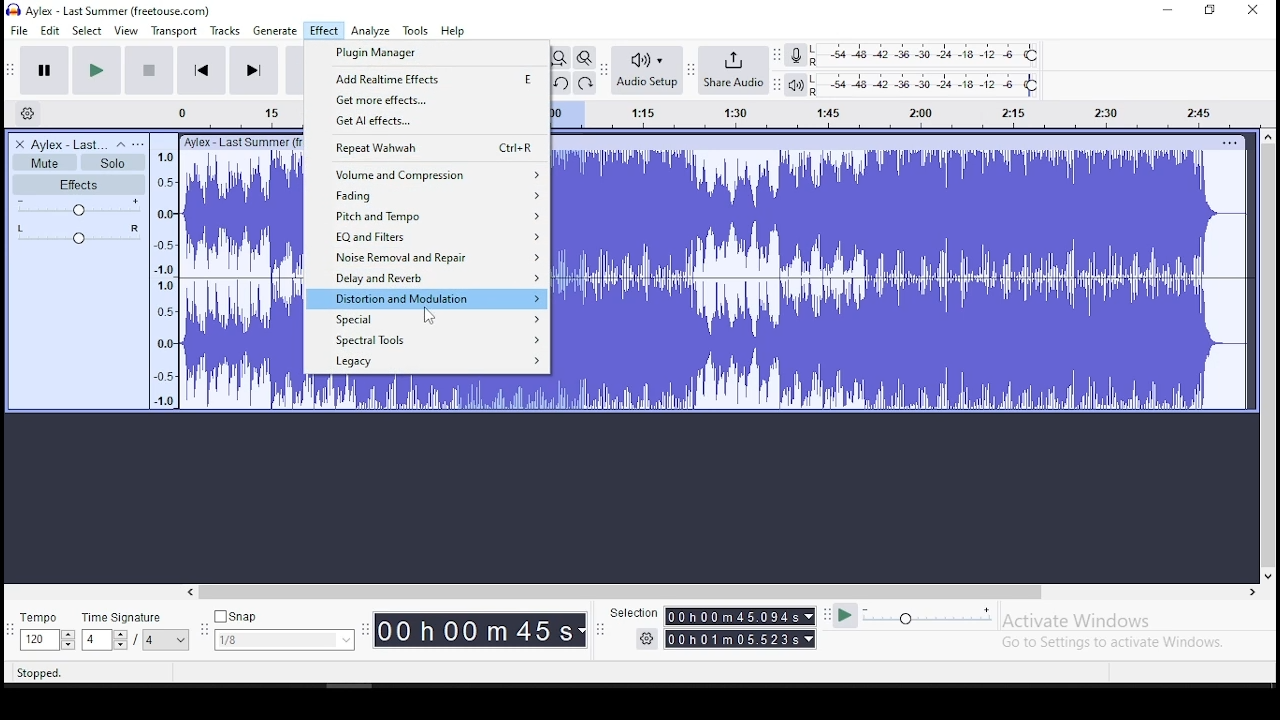 The height and width of the screenshot is (720, 1280). What do you see at coordinates (20, 30) in the screenshot?
I see `file` at bounding box center [20, 30].